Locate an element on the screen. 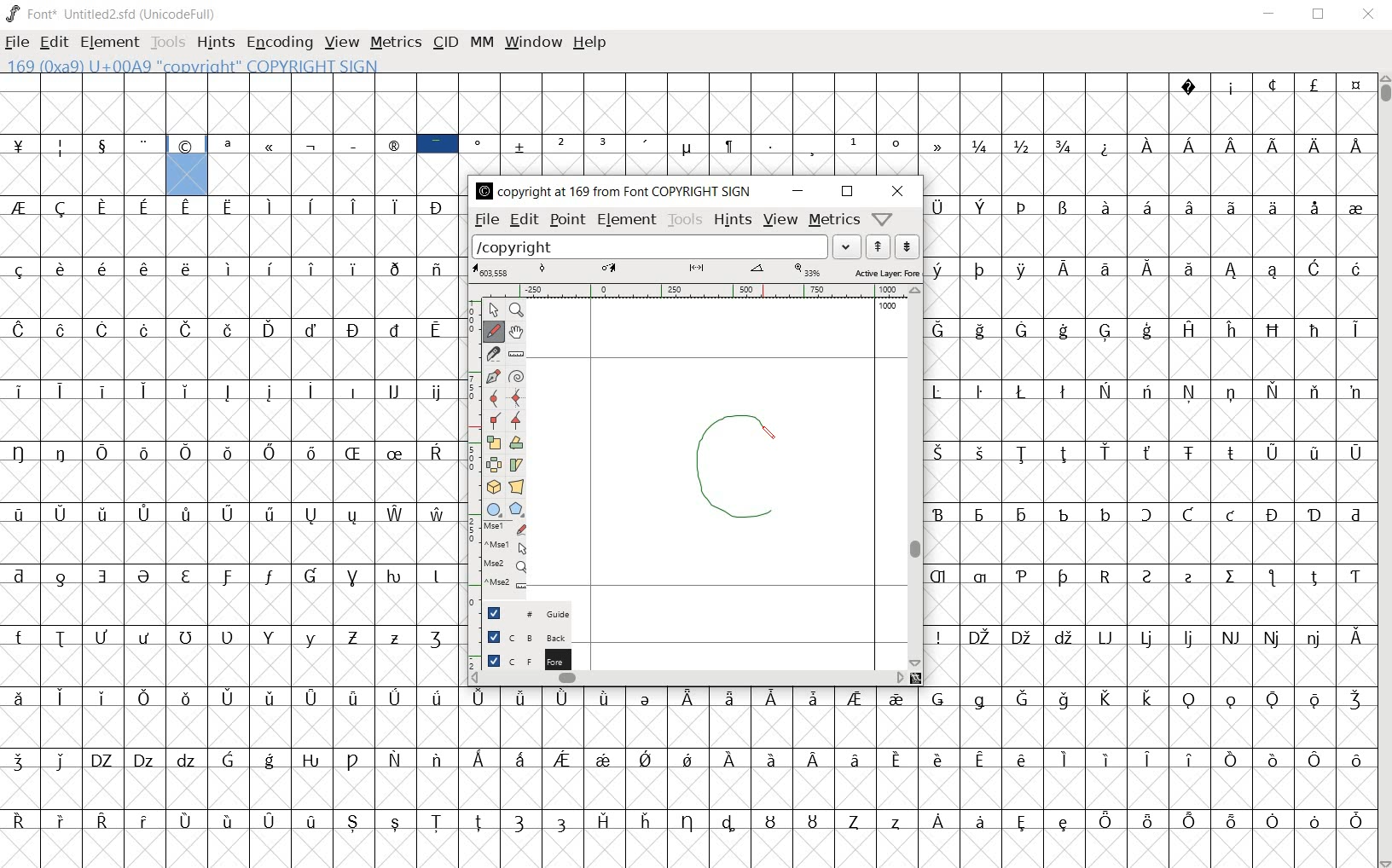  metrics is located at coordinates (832, 219).